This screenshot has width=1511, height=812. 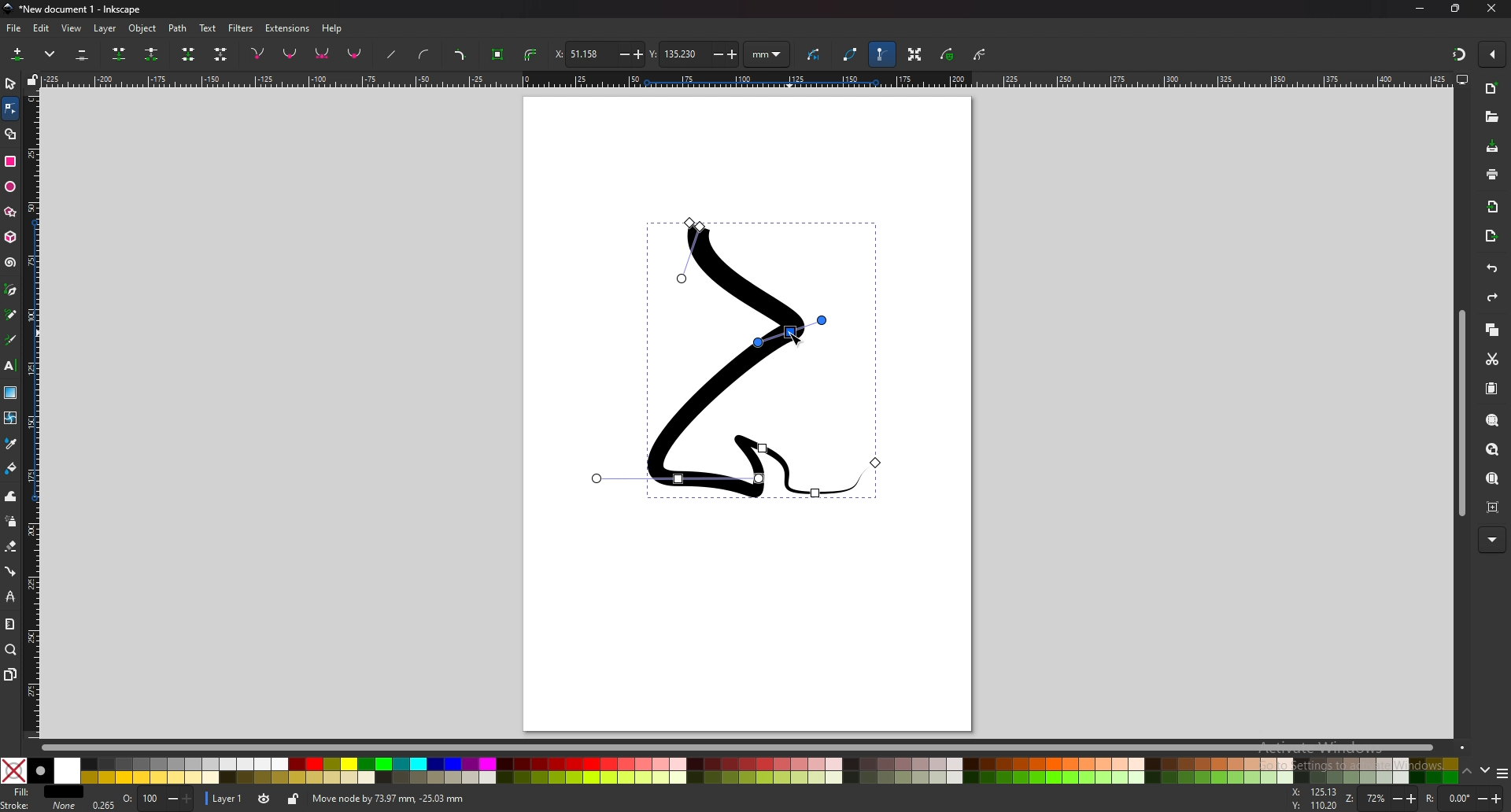 I want to click on unit, so click(x=767, y=55).